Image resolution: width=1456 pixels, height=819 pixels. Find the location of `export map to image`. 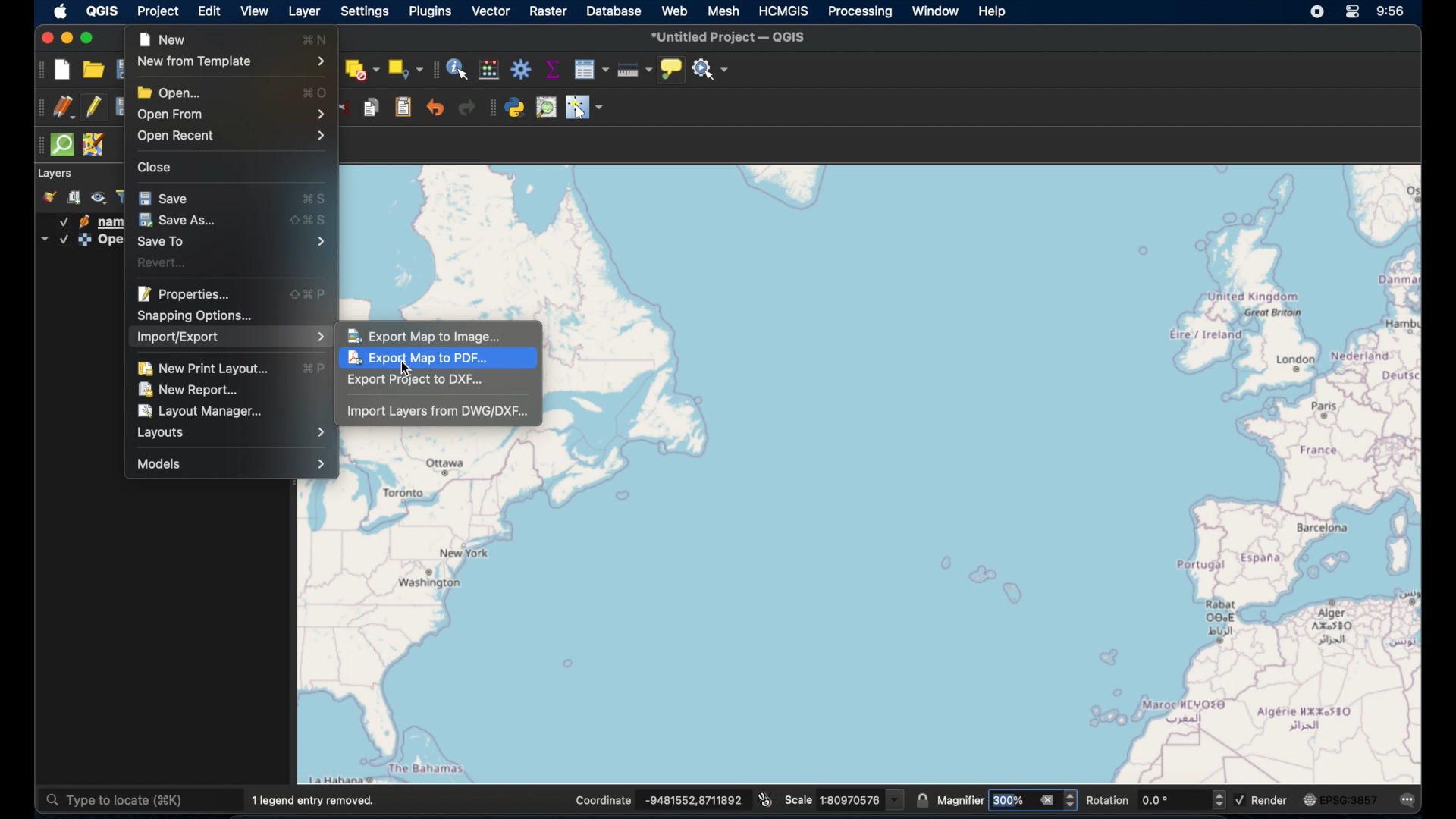

export map to image is located at coordinates (427, 336).